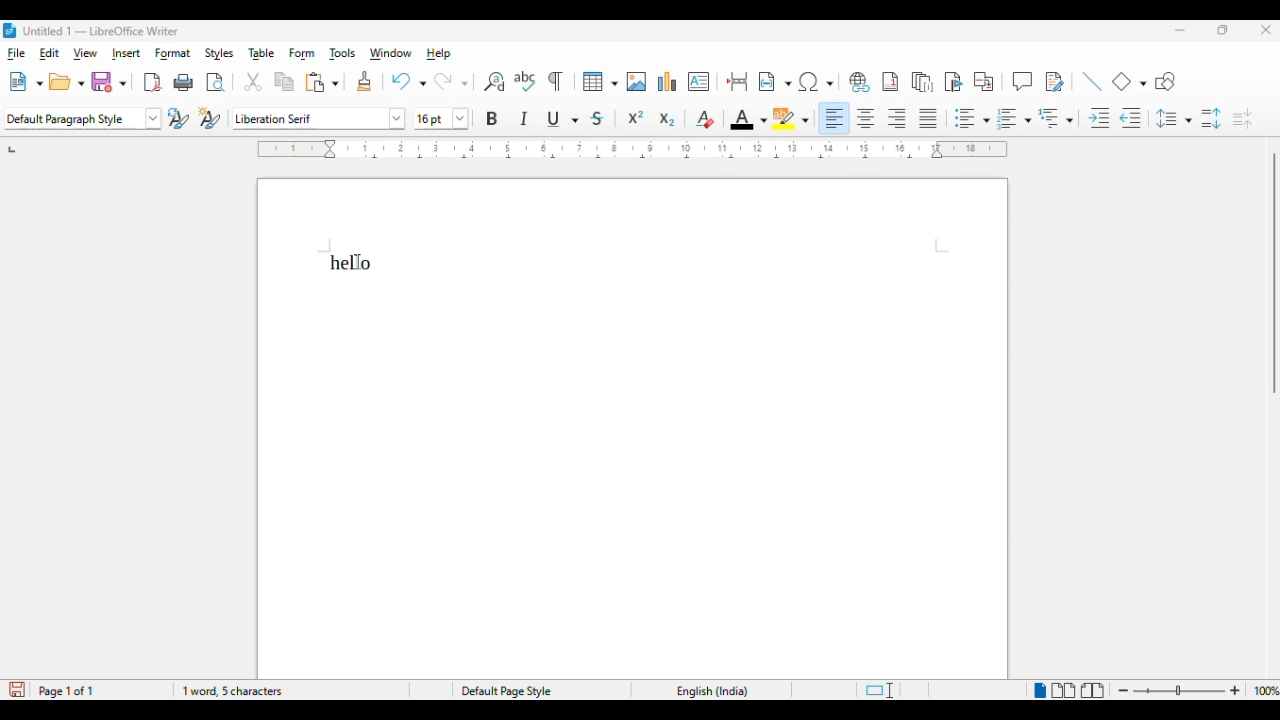  Describe the element at coordinates (858, 82) in the screenshot. I see `insert hyperlink` at that location.